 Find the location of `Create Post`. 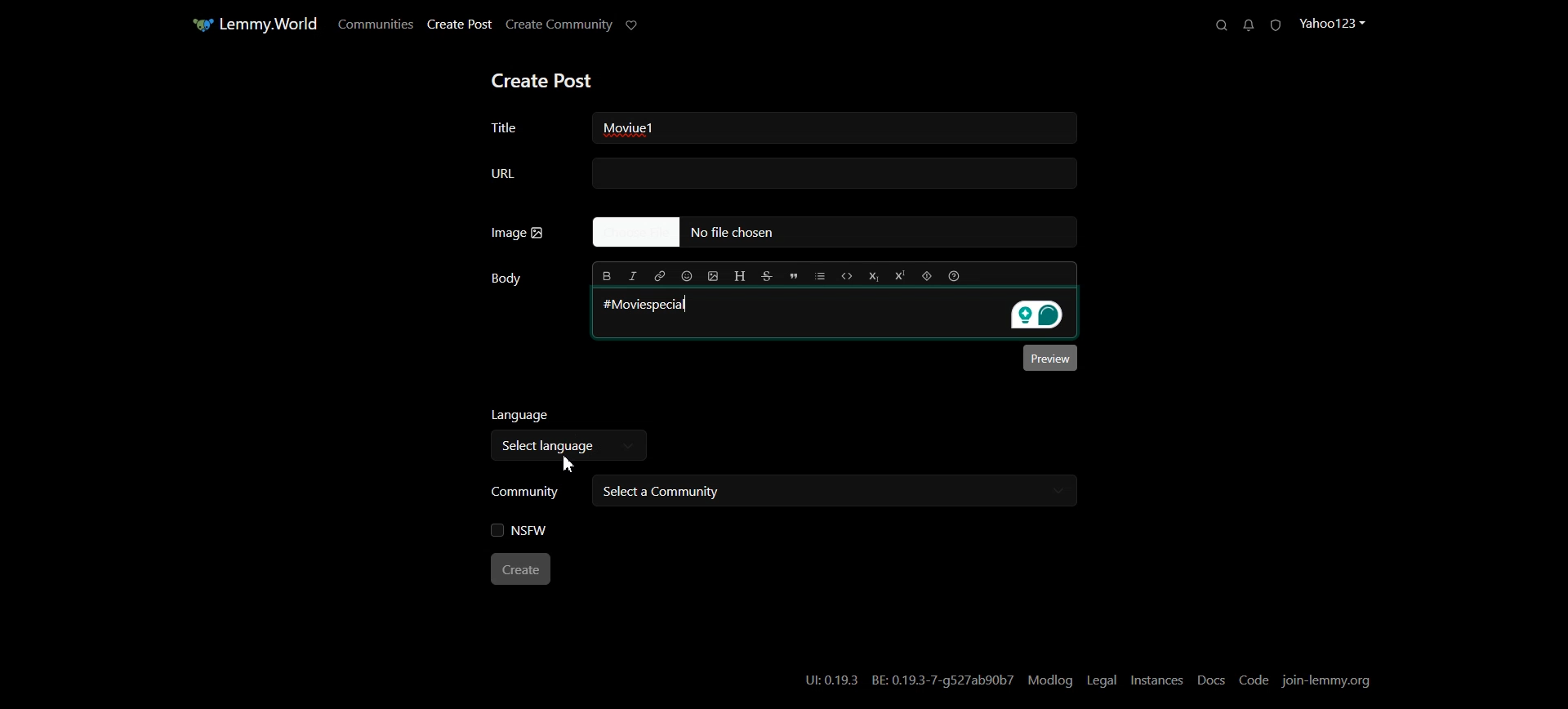

Create Post is located at coordinates (458, 25).